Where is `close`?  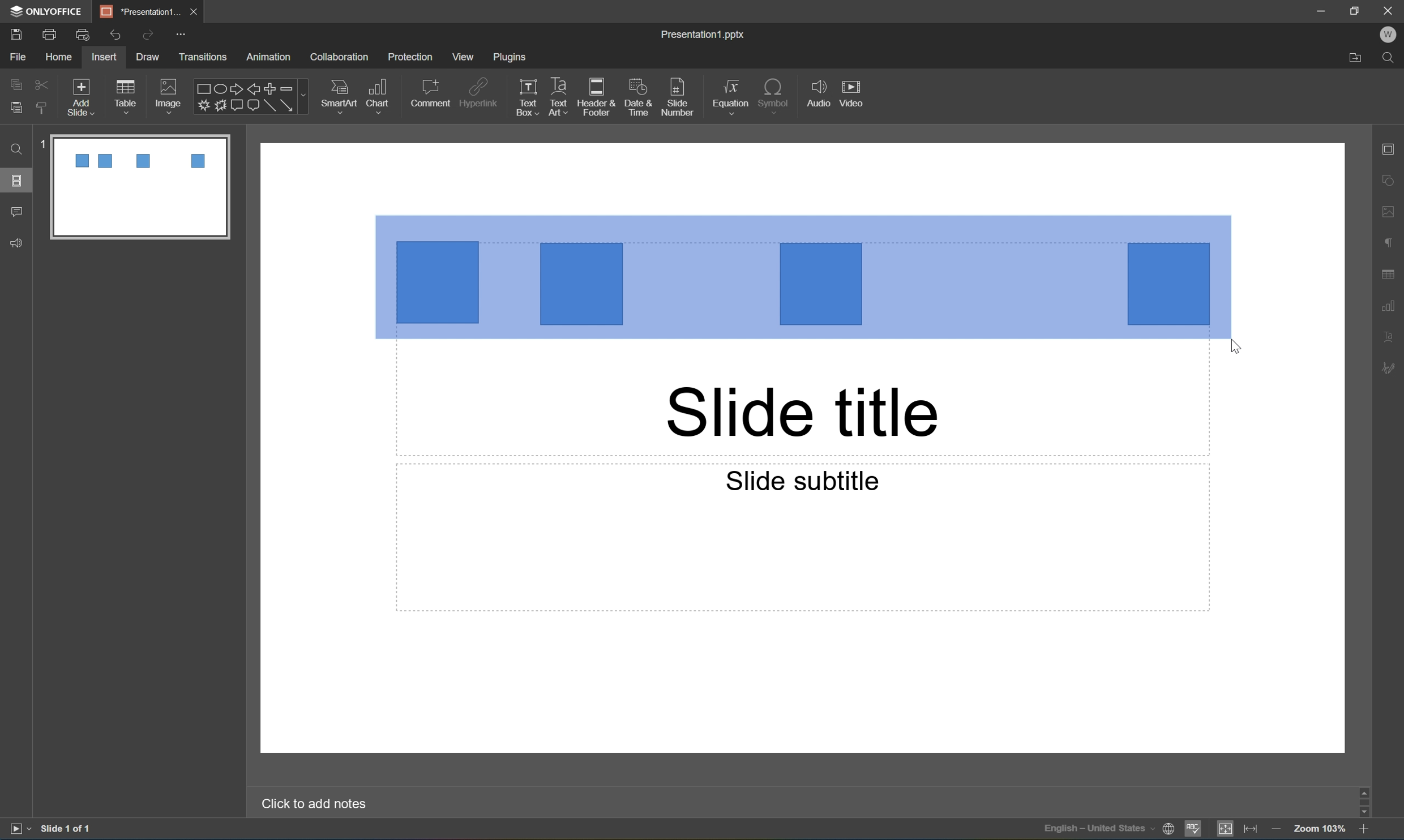 close is located at coordinates (196, 12).